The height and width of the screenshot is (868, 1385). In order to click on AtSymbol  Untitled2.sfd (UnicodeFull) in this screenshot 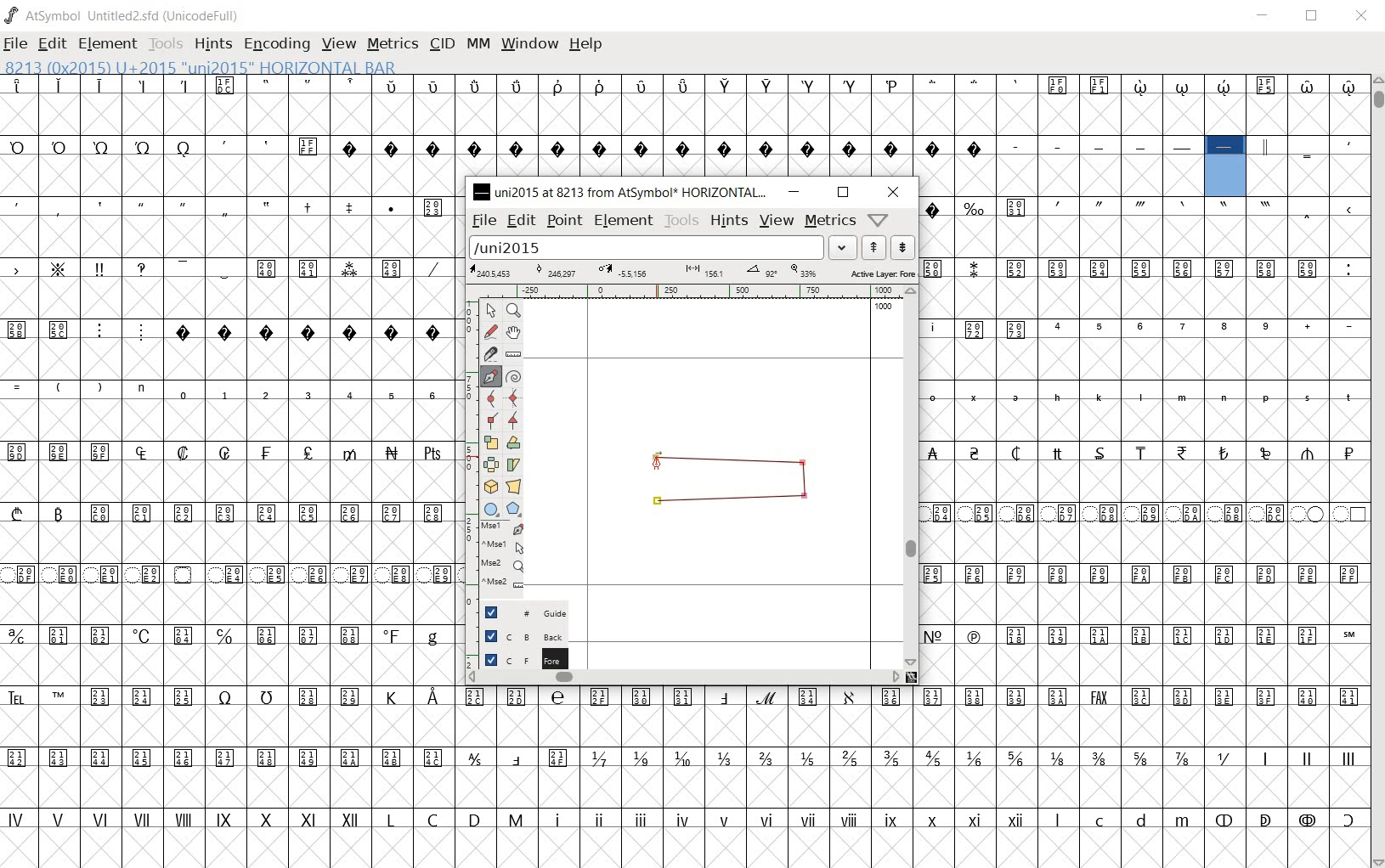, I will do `click(123, 15)`.